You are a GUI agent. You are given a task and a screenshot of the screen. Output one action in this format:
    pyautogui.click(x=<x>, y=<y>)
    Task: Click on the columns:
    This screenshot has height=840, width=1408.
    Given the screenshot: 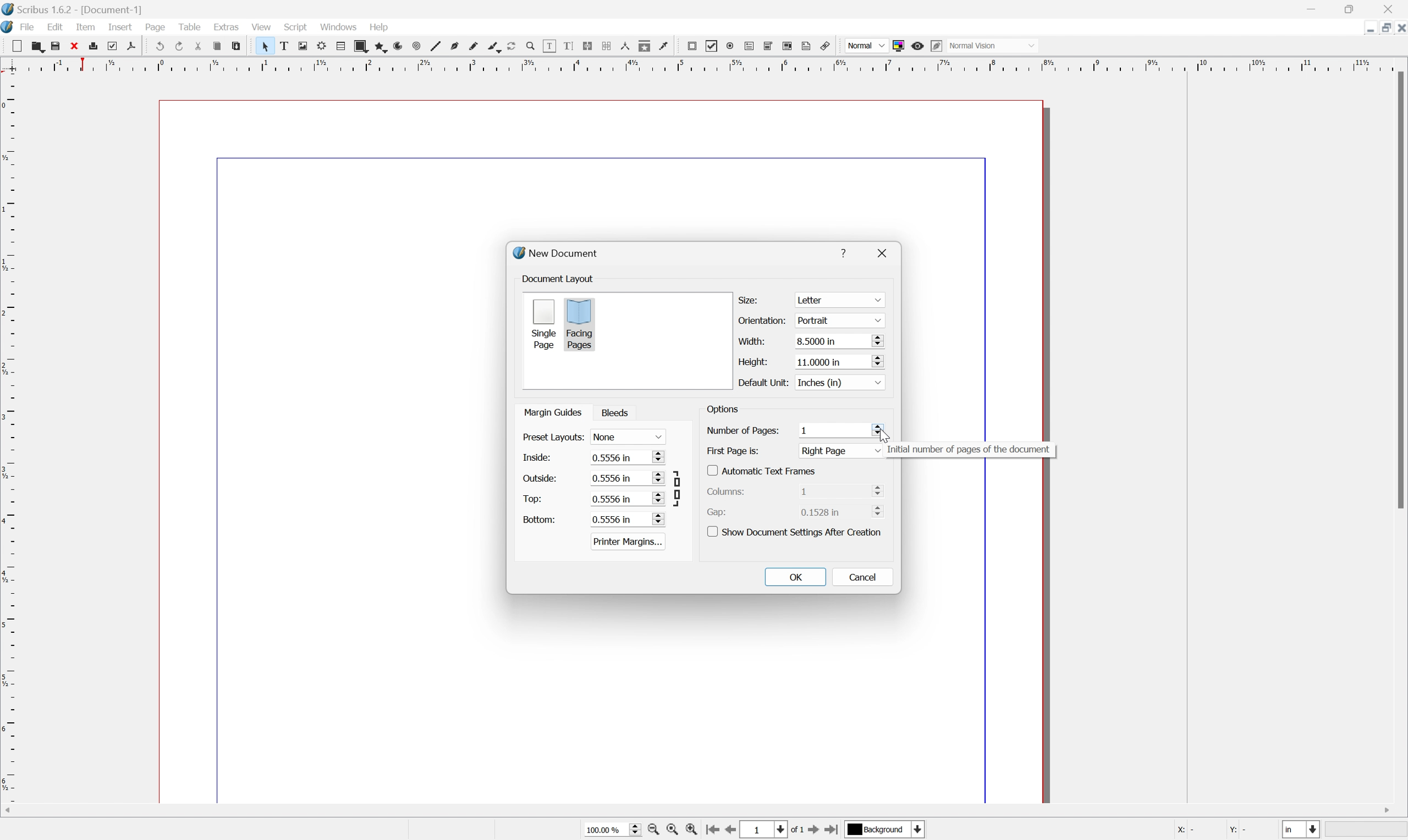 What is the action you would take?
    pyautogui.click(x=730, y=490)
    